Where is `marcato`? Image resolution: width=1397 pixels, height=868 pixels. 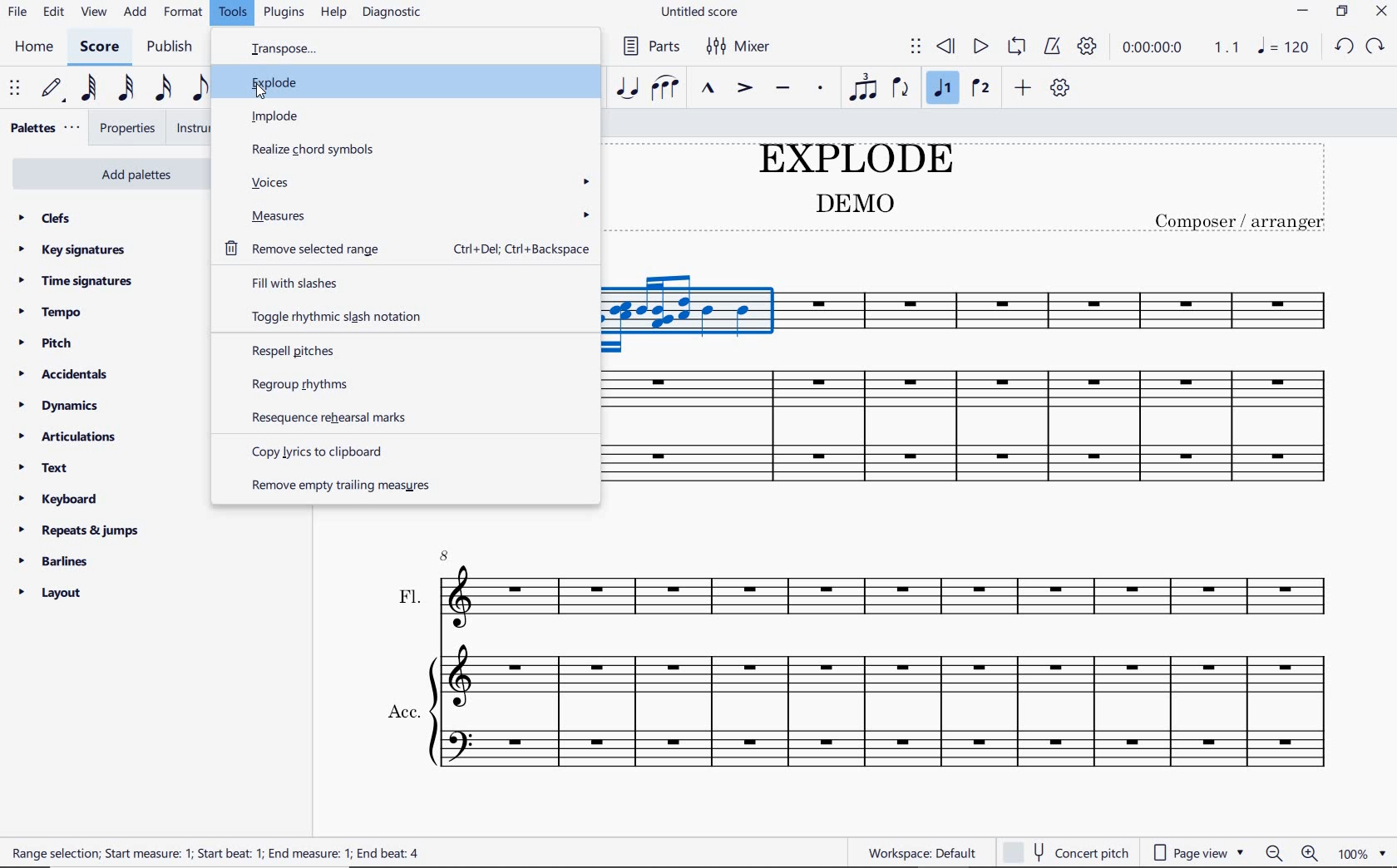 marcato is located at coordinates (707, 89).